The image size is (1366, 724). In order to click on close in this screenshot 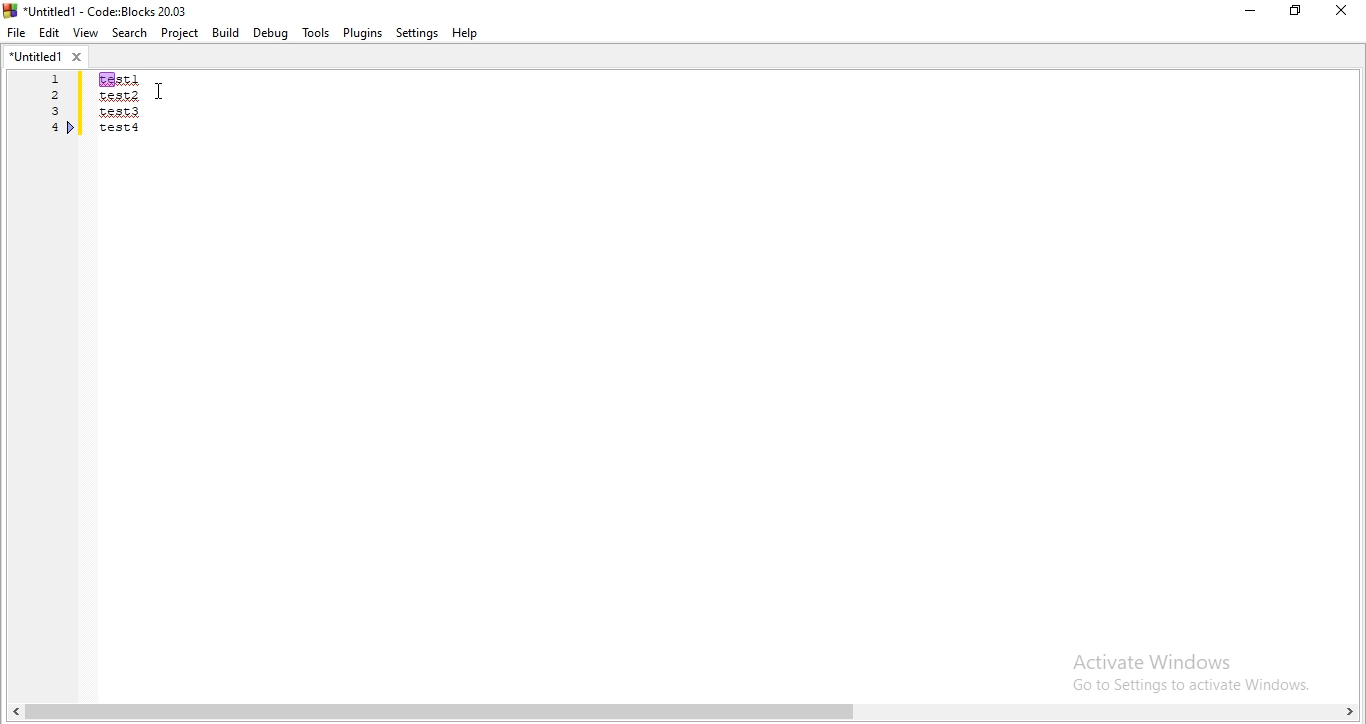, I will do `click(1346, 11)`.